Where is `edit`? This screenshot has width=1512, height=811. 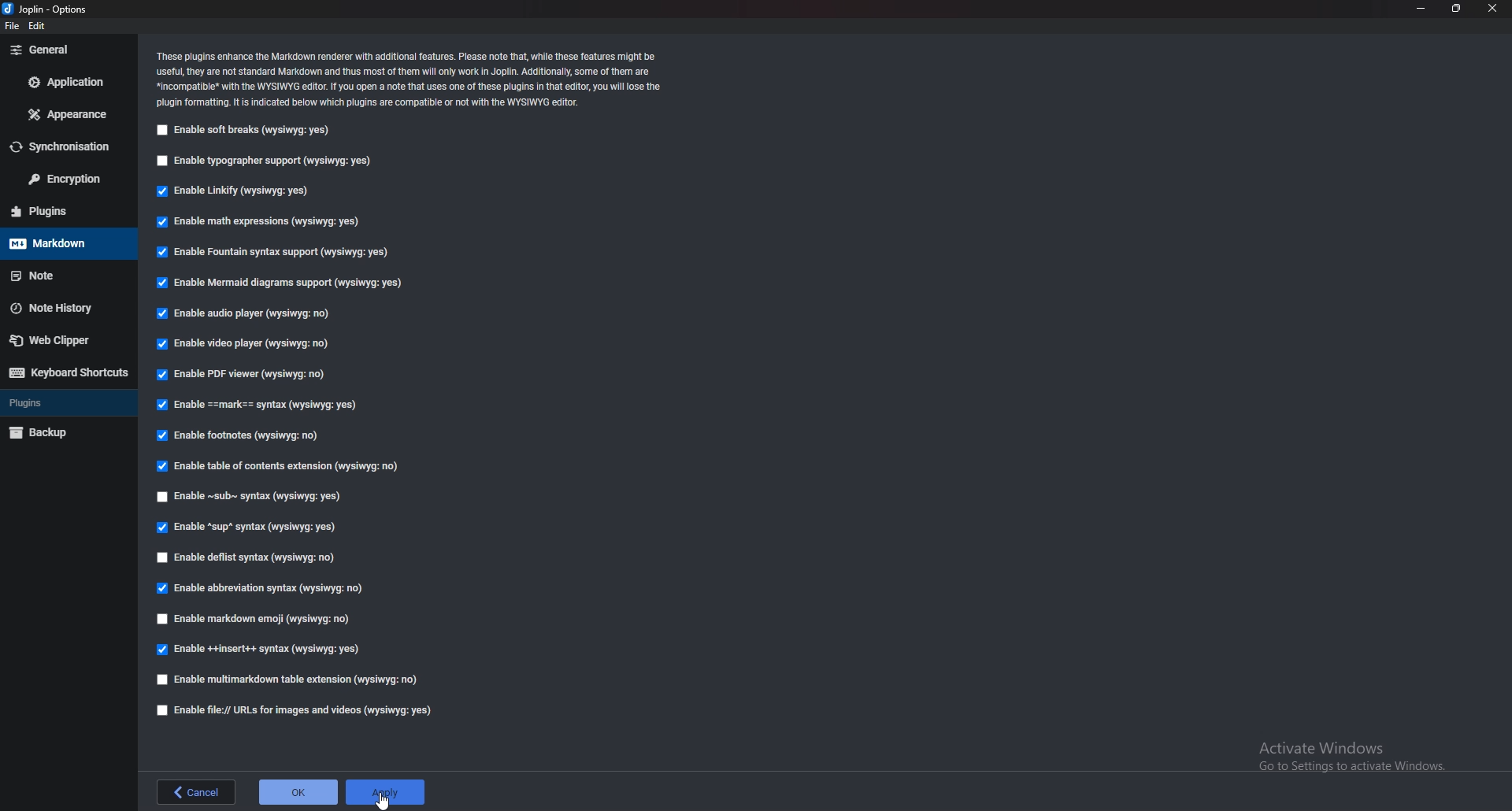 edit is located at coordinates (43, 27).